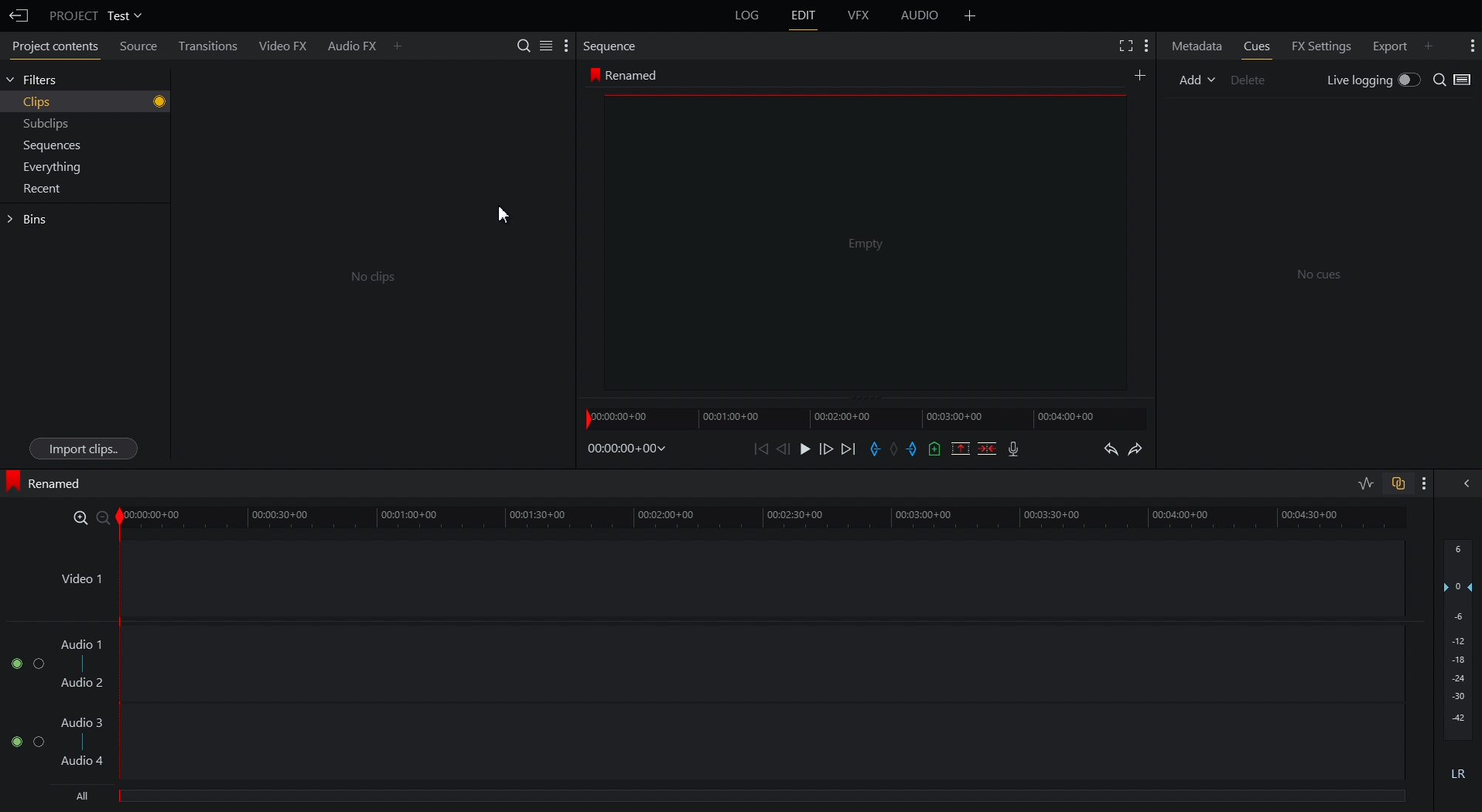 This screenshot has width=1482, height=812. What do you see at coordinates (625, 451) in the screenshot?
I see `Timestamp` at bounding box center [625, 451].